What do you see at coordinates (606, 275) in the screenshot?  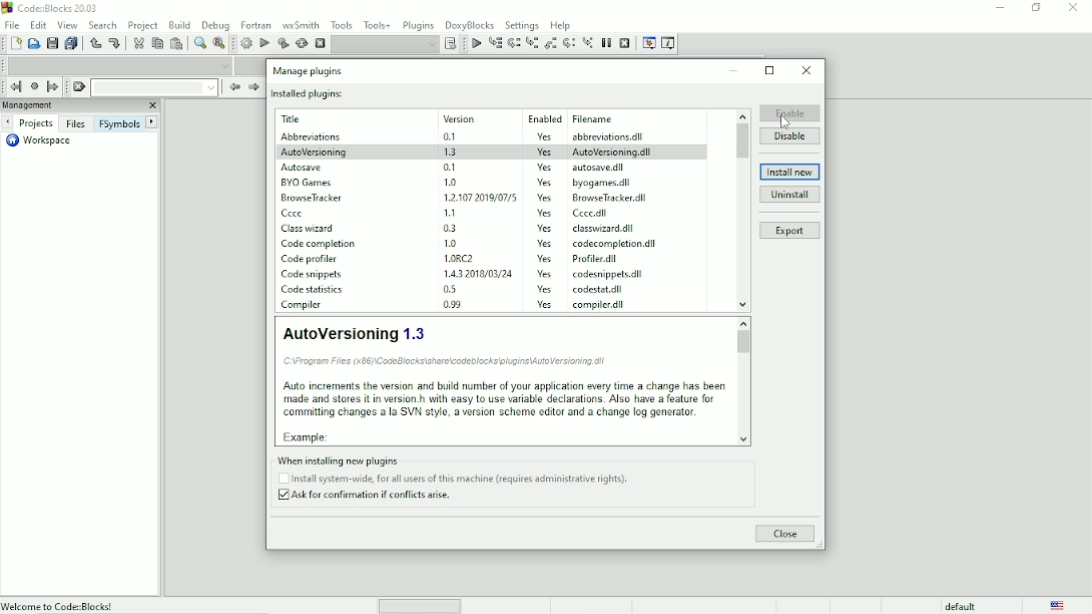 I see `file` at bounding box center [606, 275].